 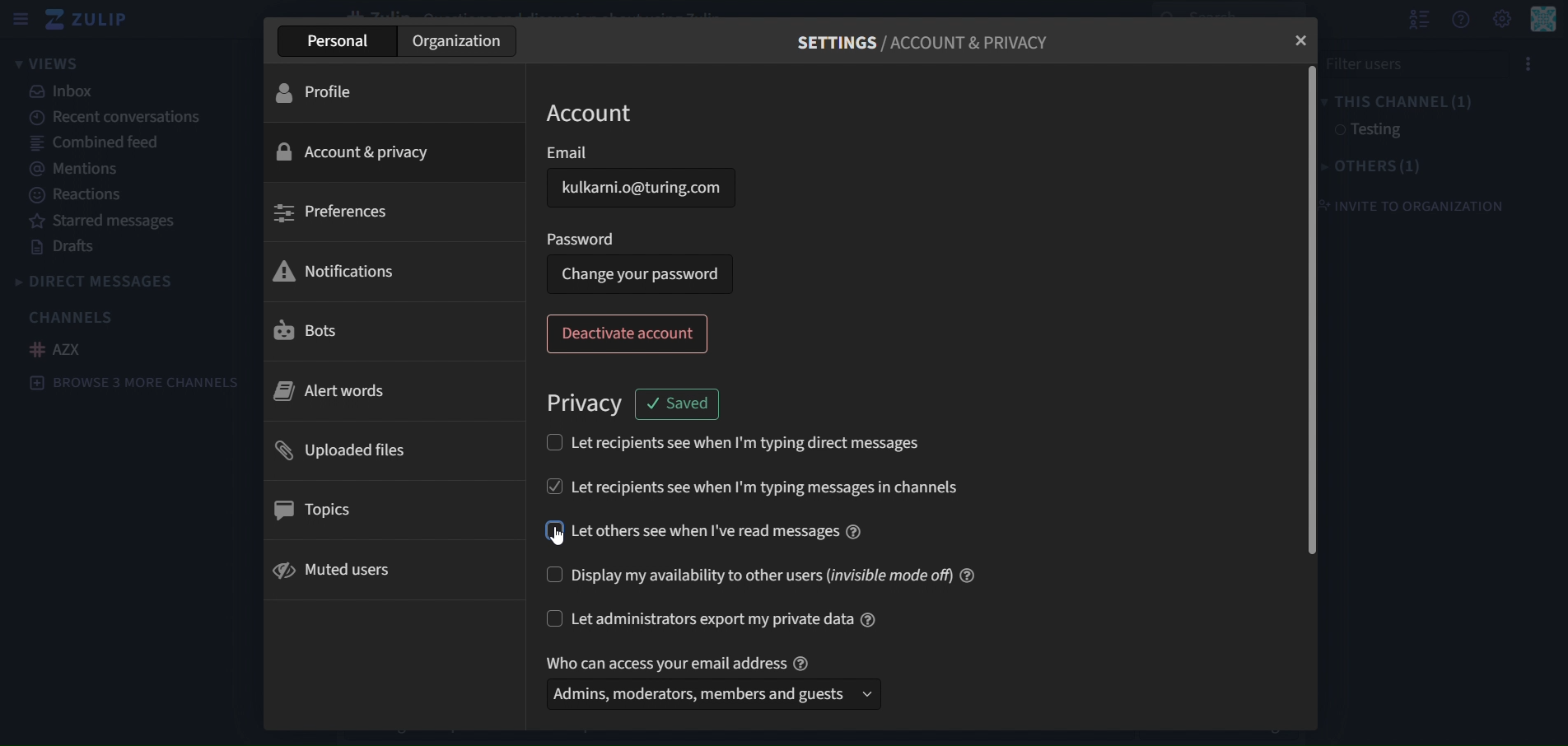 I want to click on personal, so click(x=336, y=44).